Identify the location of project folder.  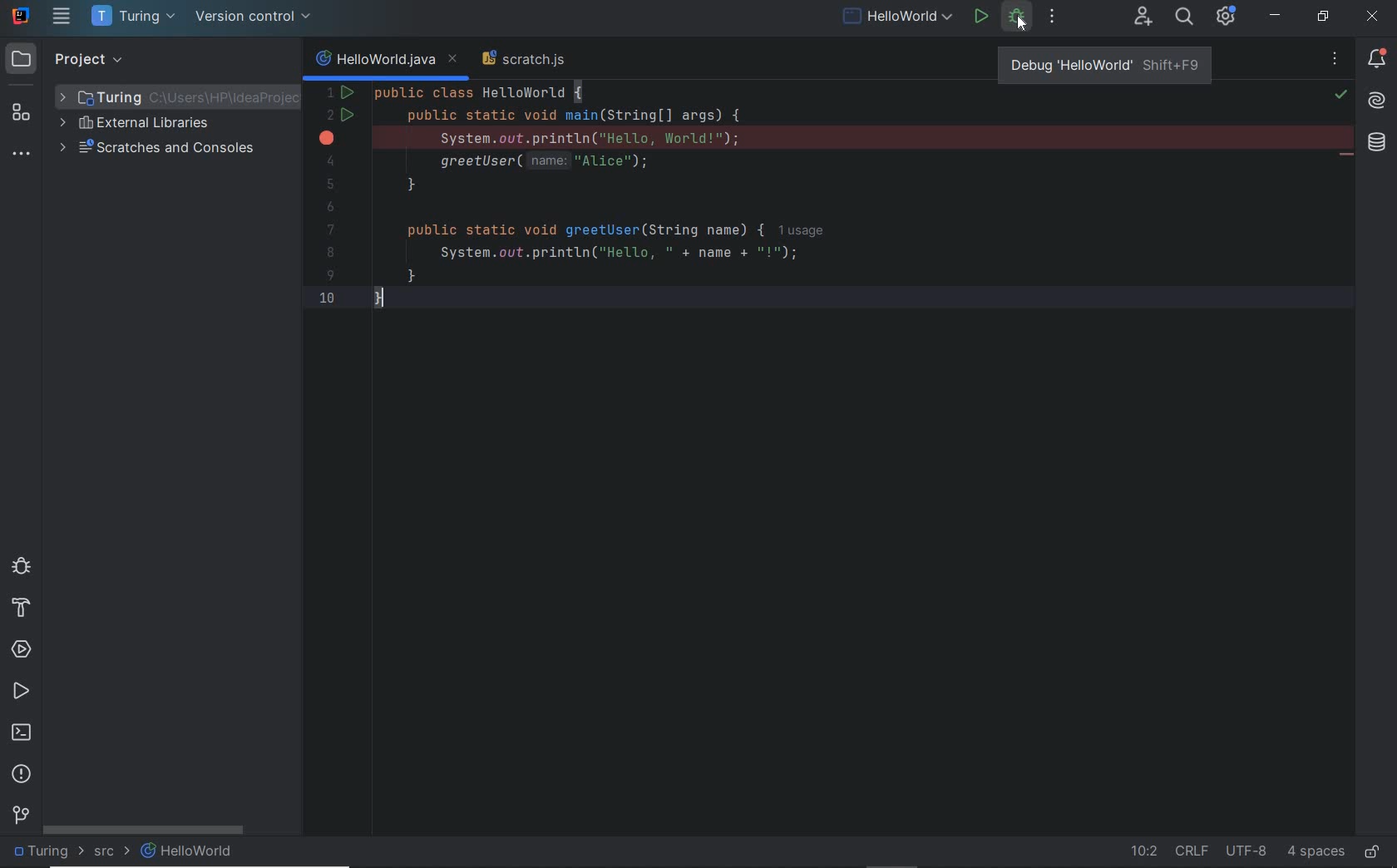
(42, 852).